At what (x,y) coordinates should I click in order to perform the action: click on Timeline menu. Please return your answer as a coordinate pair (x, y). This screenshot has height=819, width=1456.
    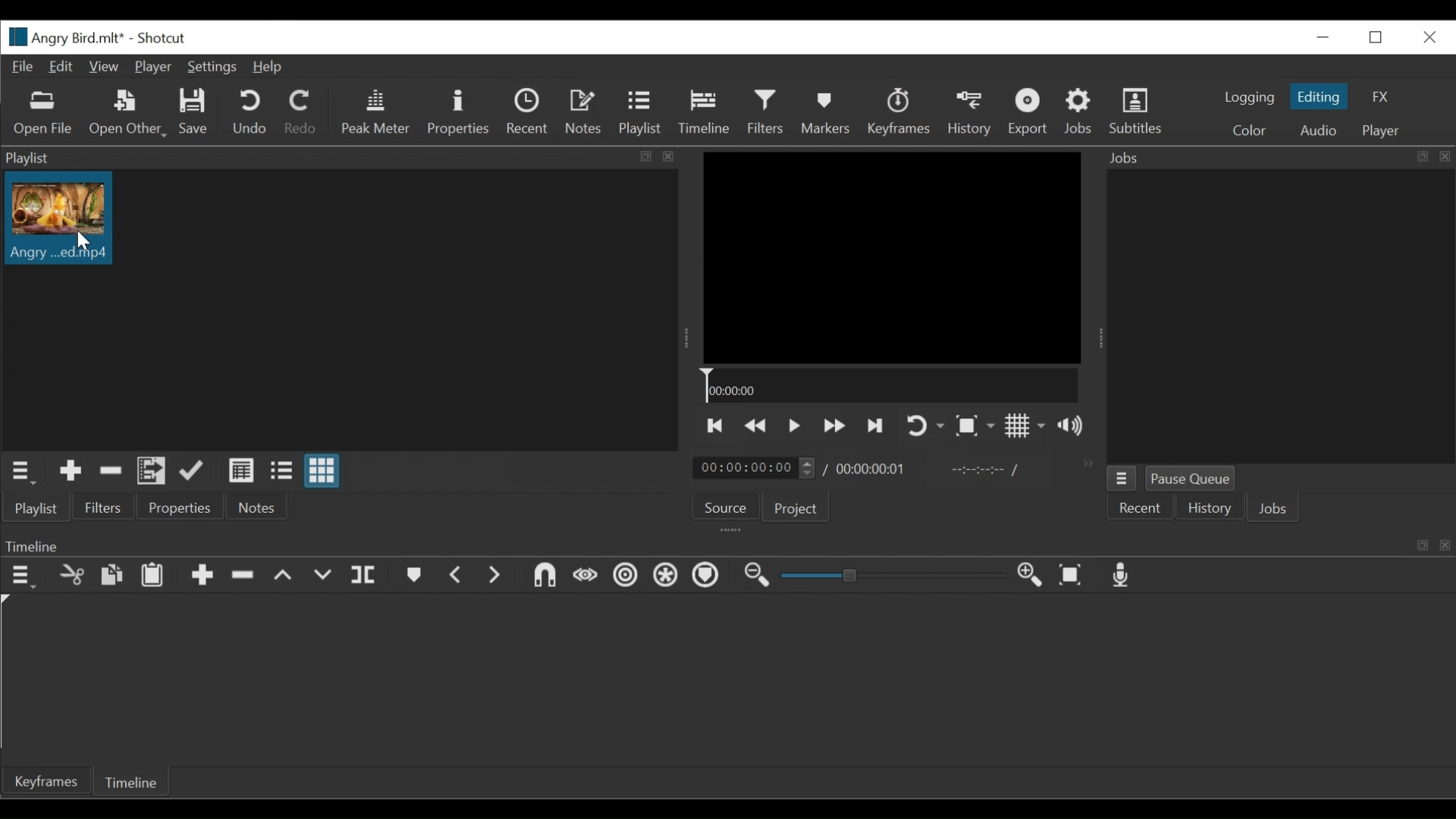
    Looking at the image, I should click on (20, 575).